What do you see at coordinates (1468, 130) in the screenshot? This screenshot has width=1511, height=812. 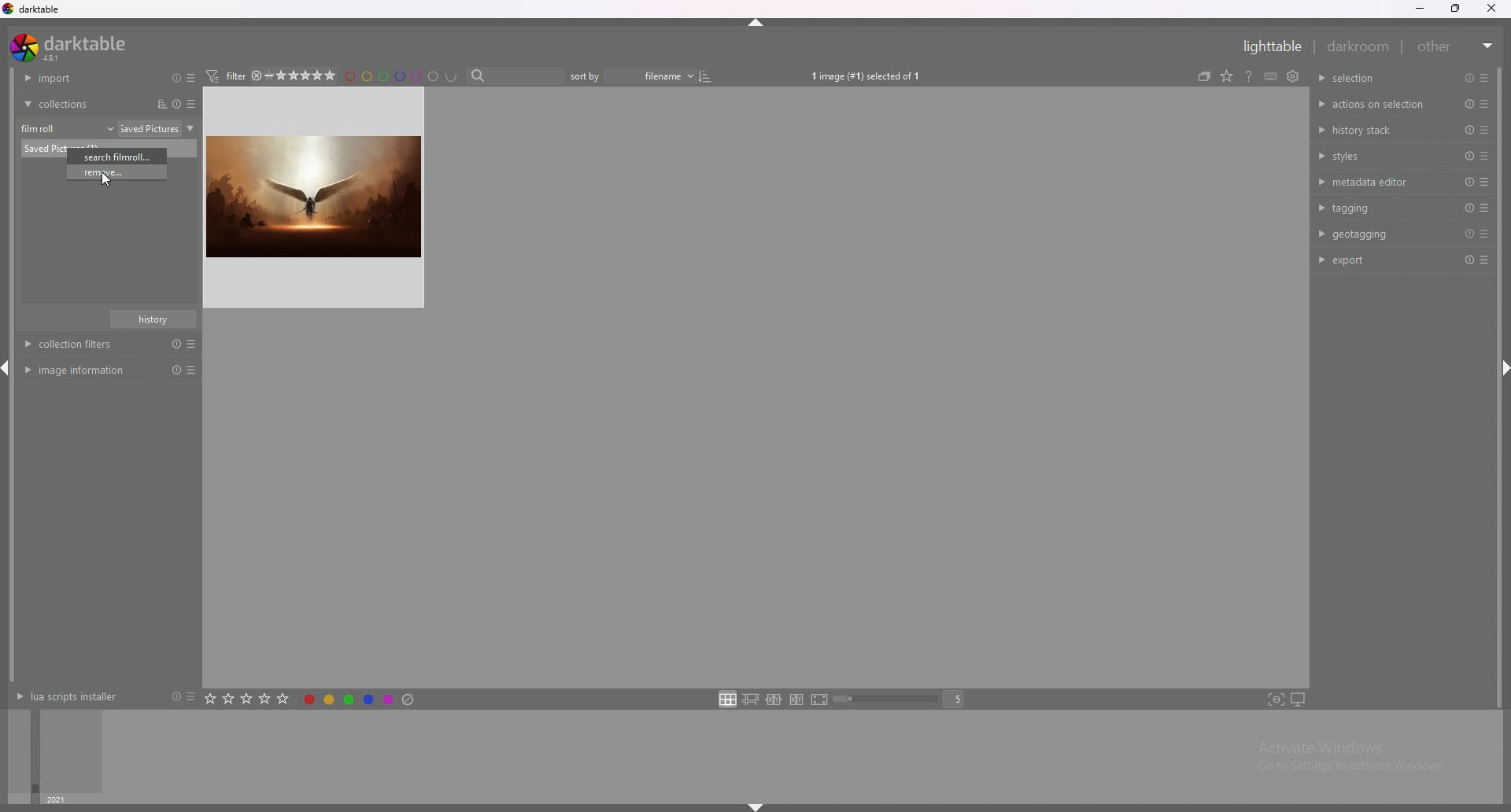 I see `preset` at bounding box center [1468, 130].